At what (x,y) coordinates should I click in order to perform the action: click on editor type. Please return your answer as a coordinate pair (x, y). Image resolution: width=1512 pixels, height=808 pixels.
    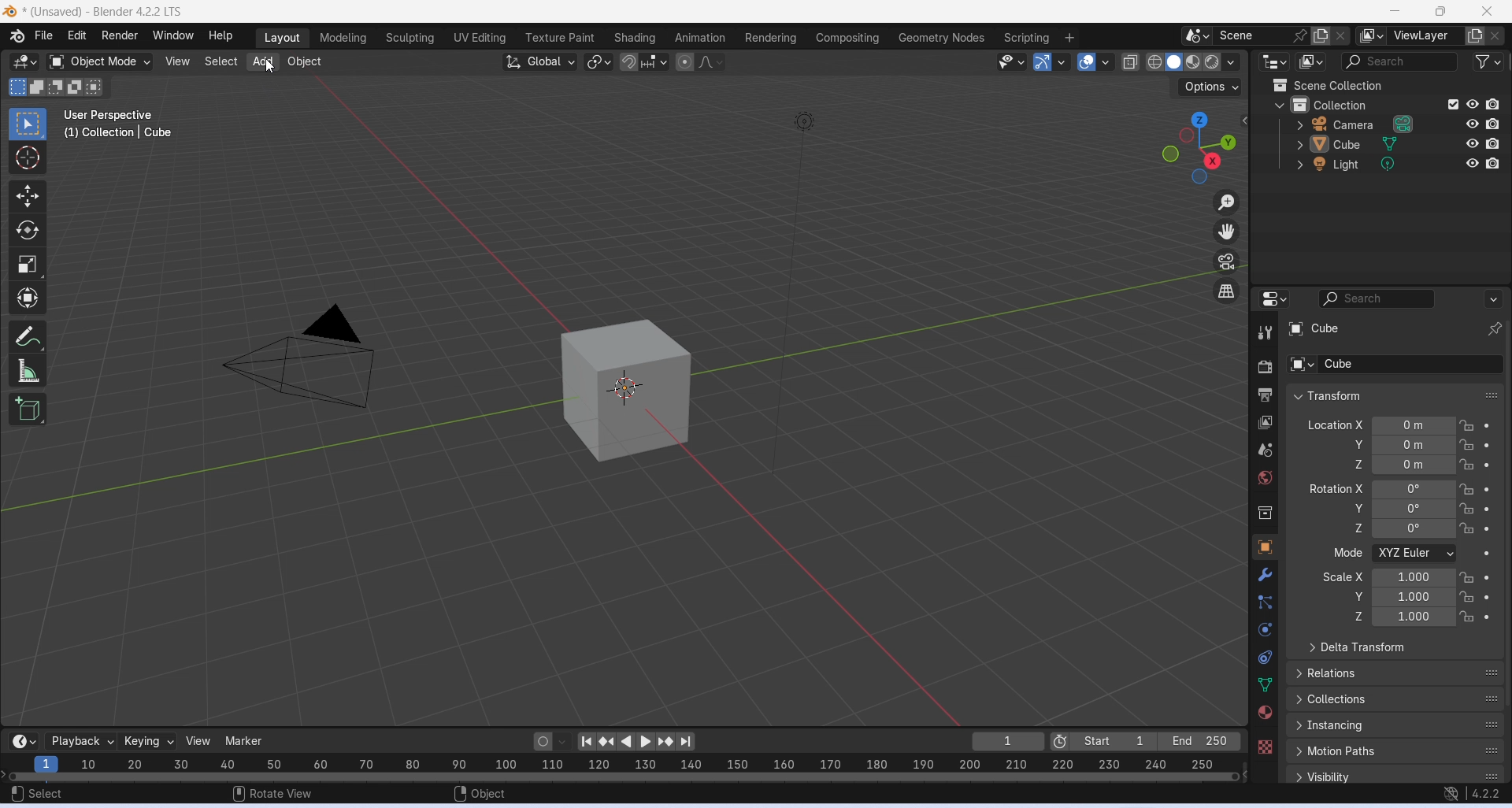
    Looking at the image, I should click on (1277, 61).